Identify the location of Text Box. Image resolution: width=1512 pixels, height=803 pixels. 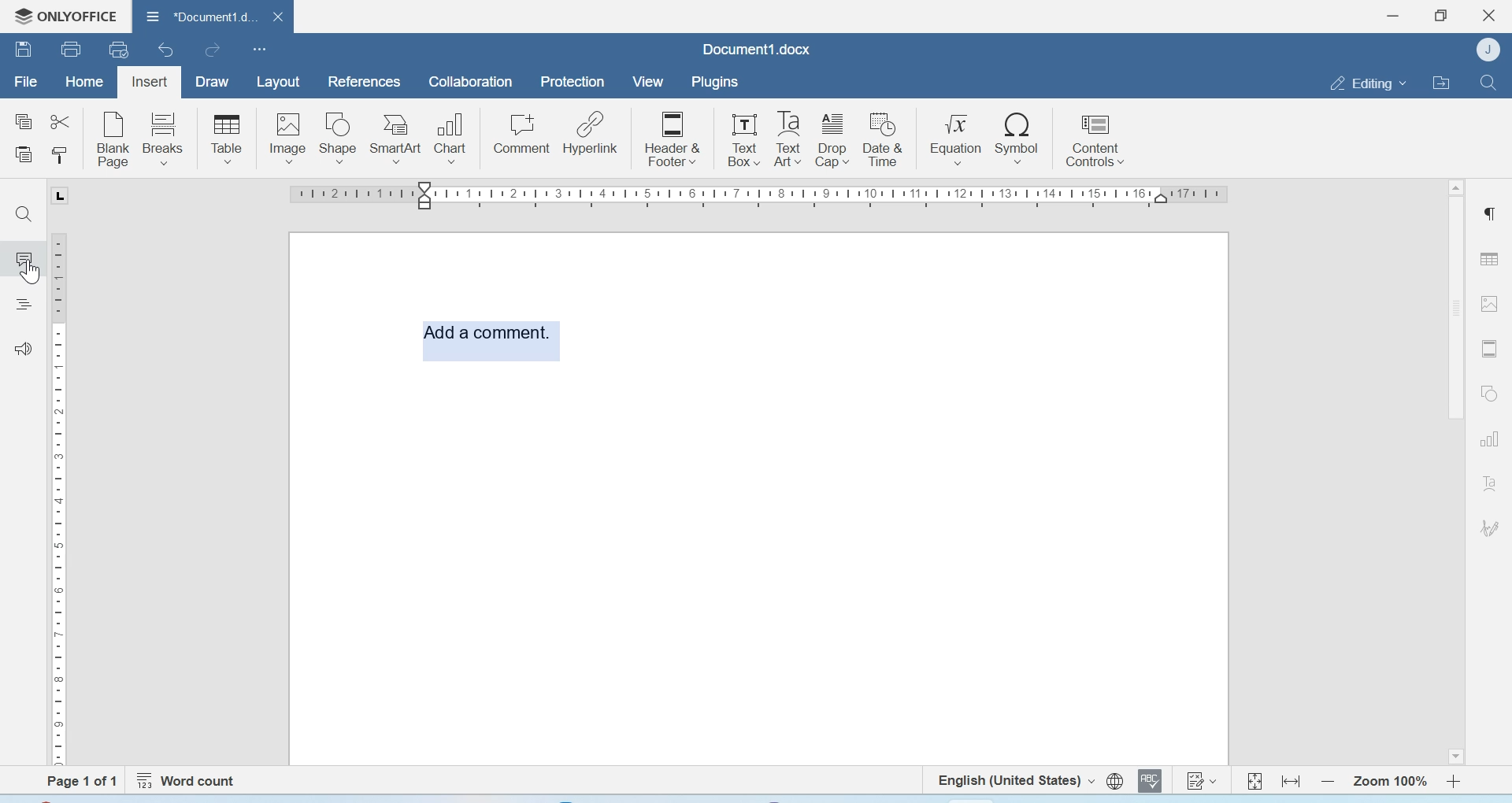
(786, 139).